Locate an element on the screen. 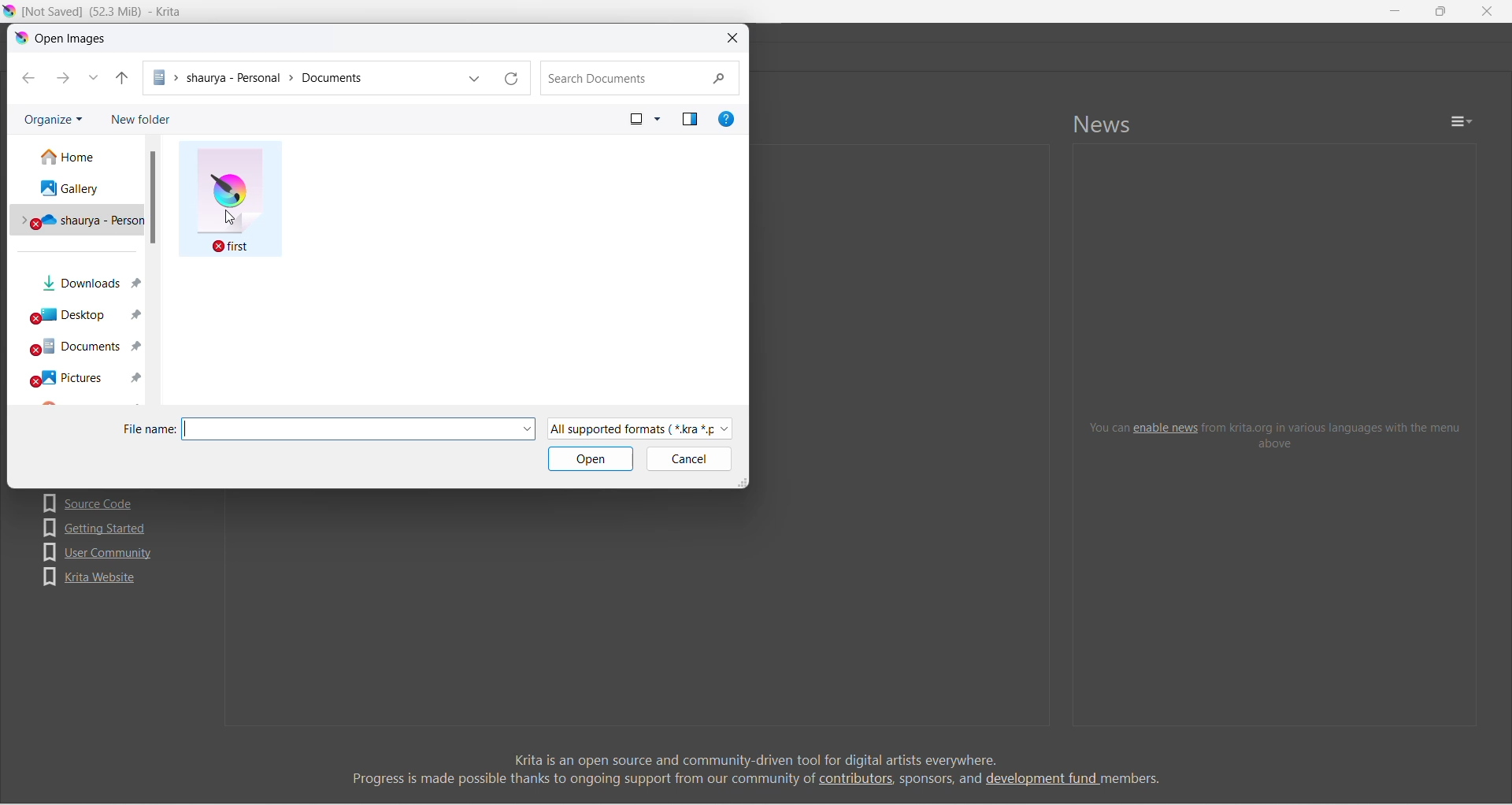 Image resolution: width=1512 pixels, height=805 pixels. Software name, file name and size is located at coordinates (102, 12).